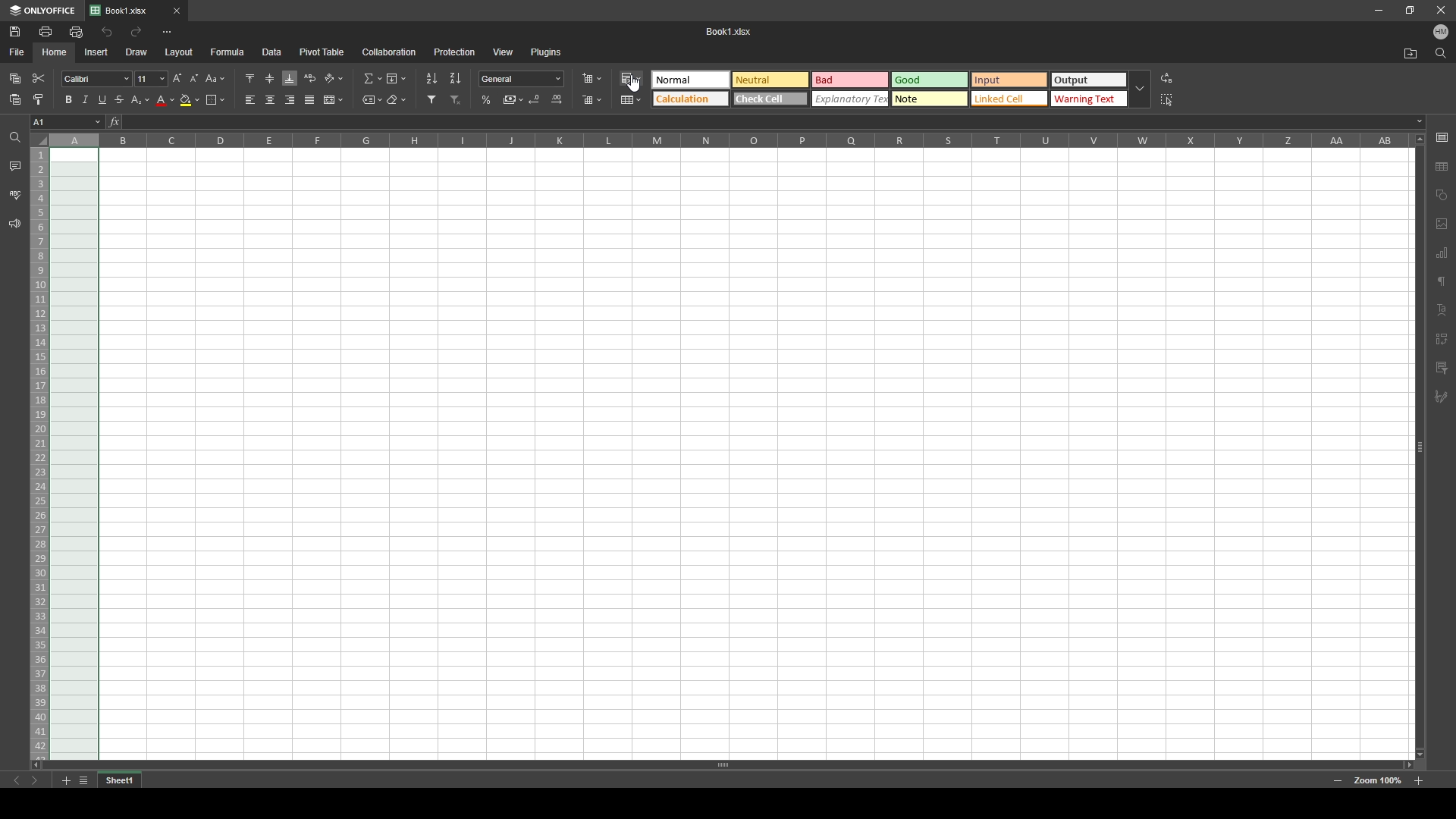 This screenshot has width=1456, height=819. What do you see at coordinates (631, 78) in the screenshot?
I see `conditional formatting` at bounding box center [631, 78].